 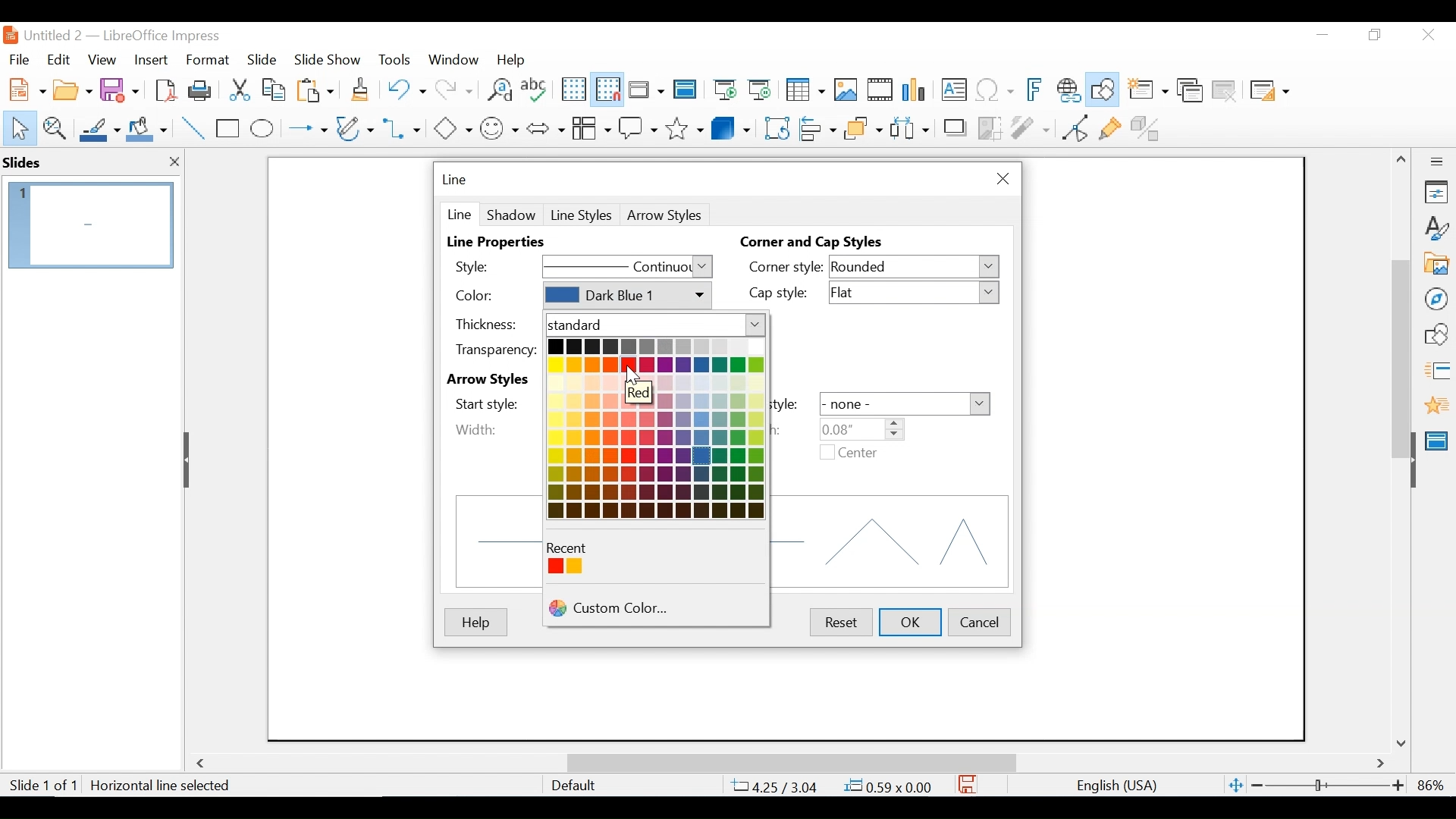 What do you see at coordinates (121, 89) in the screenshot?
I see `Save` at bounding box center [121, 89].